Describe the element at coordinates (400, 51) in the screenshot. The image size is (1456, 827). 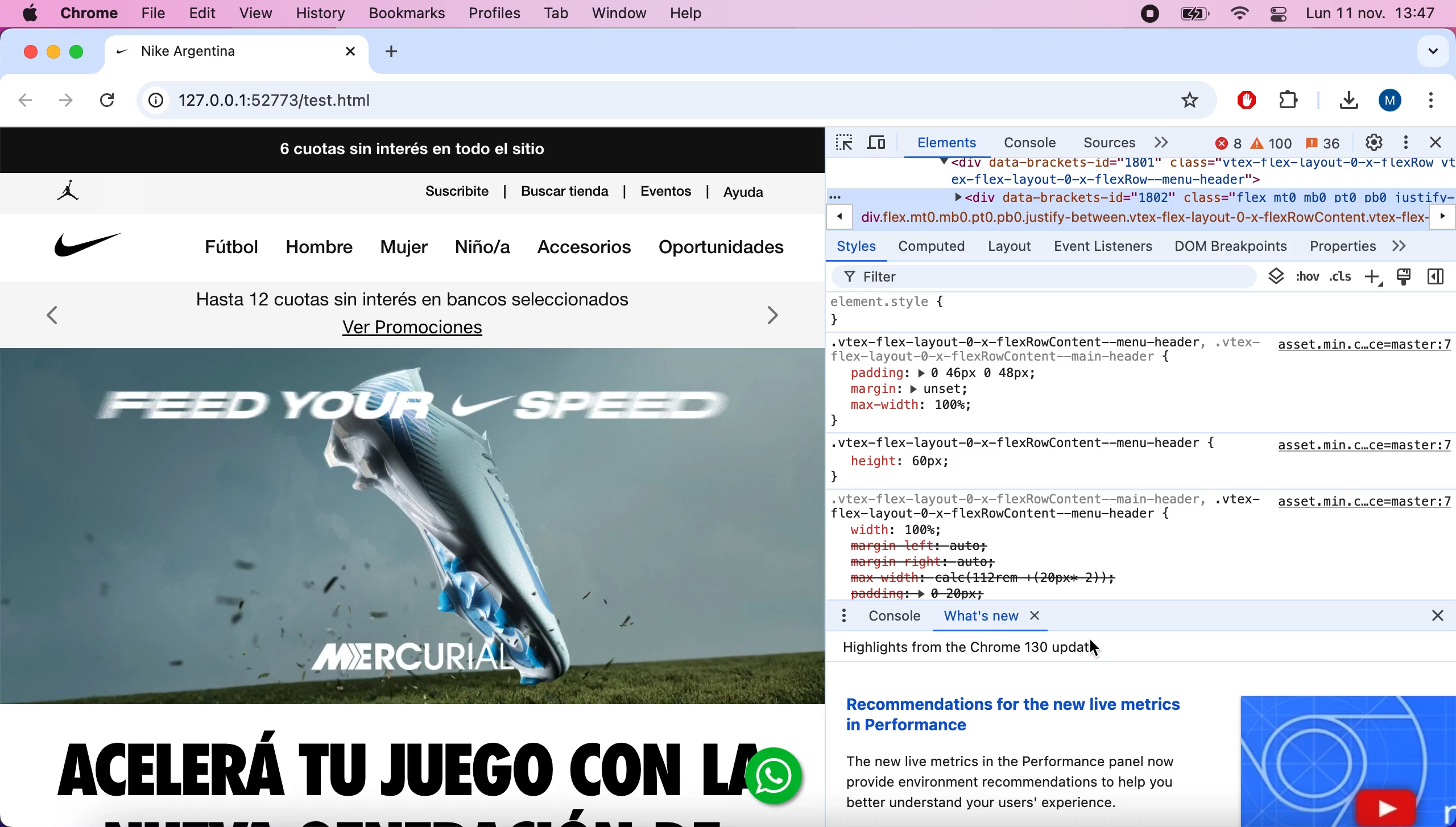
I see `add tab` at that location.